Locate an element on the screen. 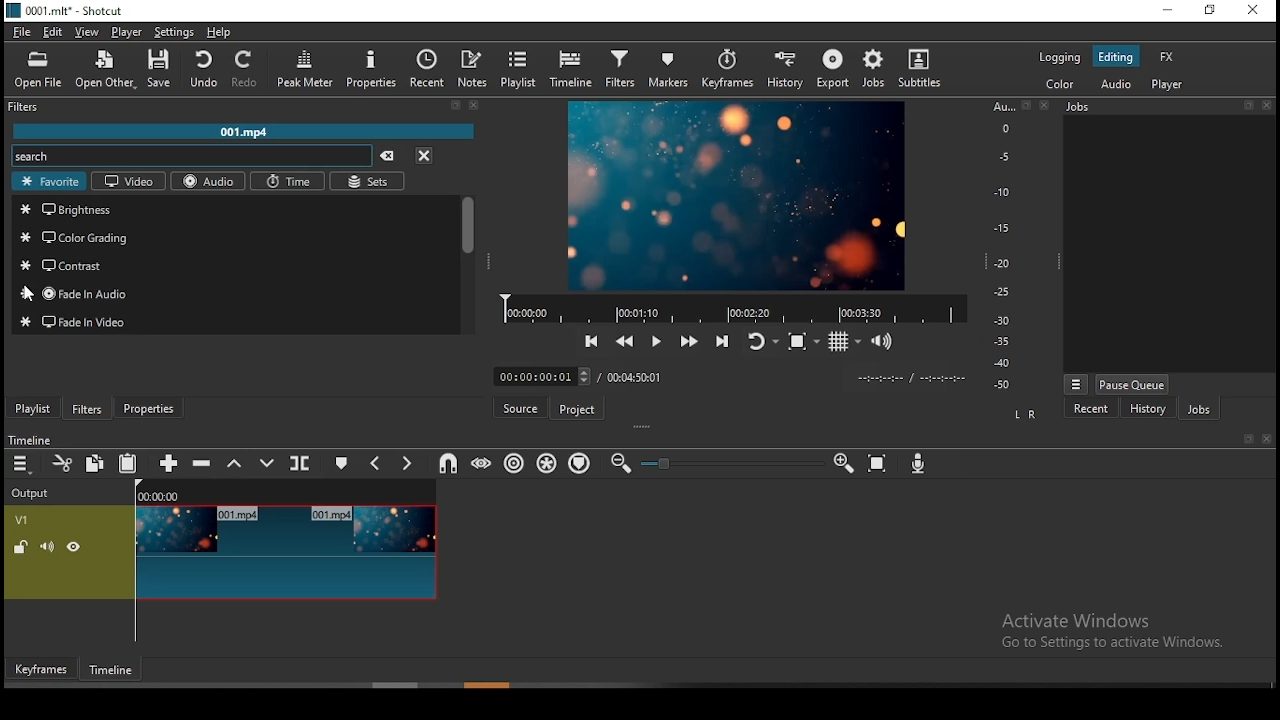 The width and height of the screenshot is (1280, 720). ripple is located at coordinates (511, 463).